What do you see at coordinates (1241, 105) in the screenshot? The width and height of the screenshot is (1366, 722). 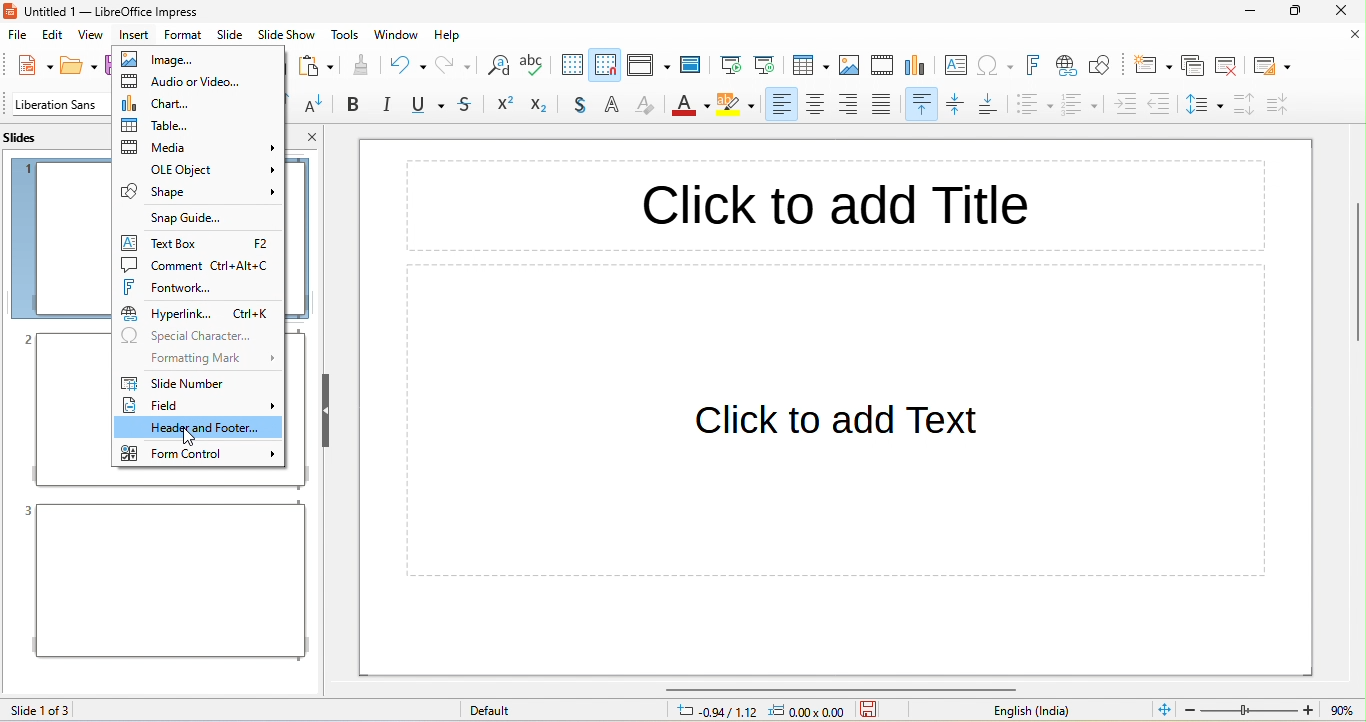 I see `increase paragraph spacing` at bounding box center [1241, 105].